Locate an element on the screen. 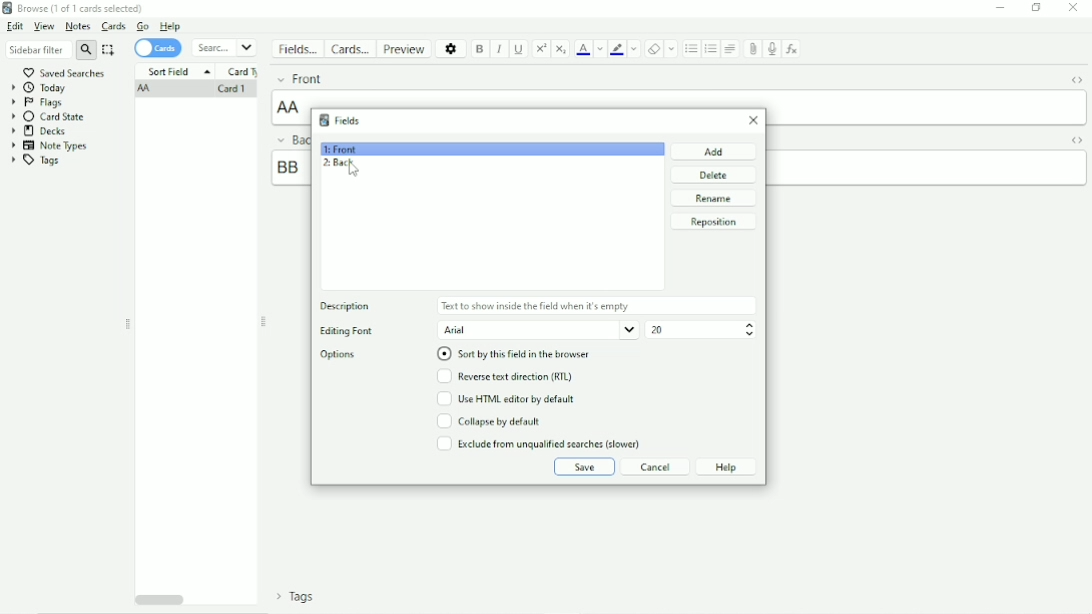 This screenshot has width=1092, height=614. Decks is located at coordinates (39, 131).